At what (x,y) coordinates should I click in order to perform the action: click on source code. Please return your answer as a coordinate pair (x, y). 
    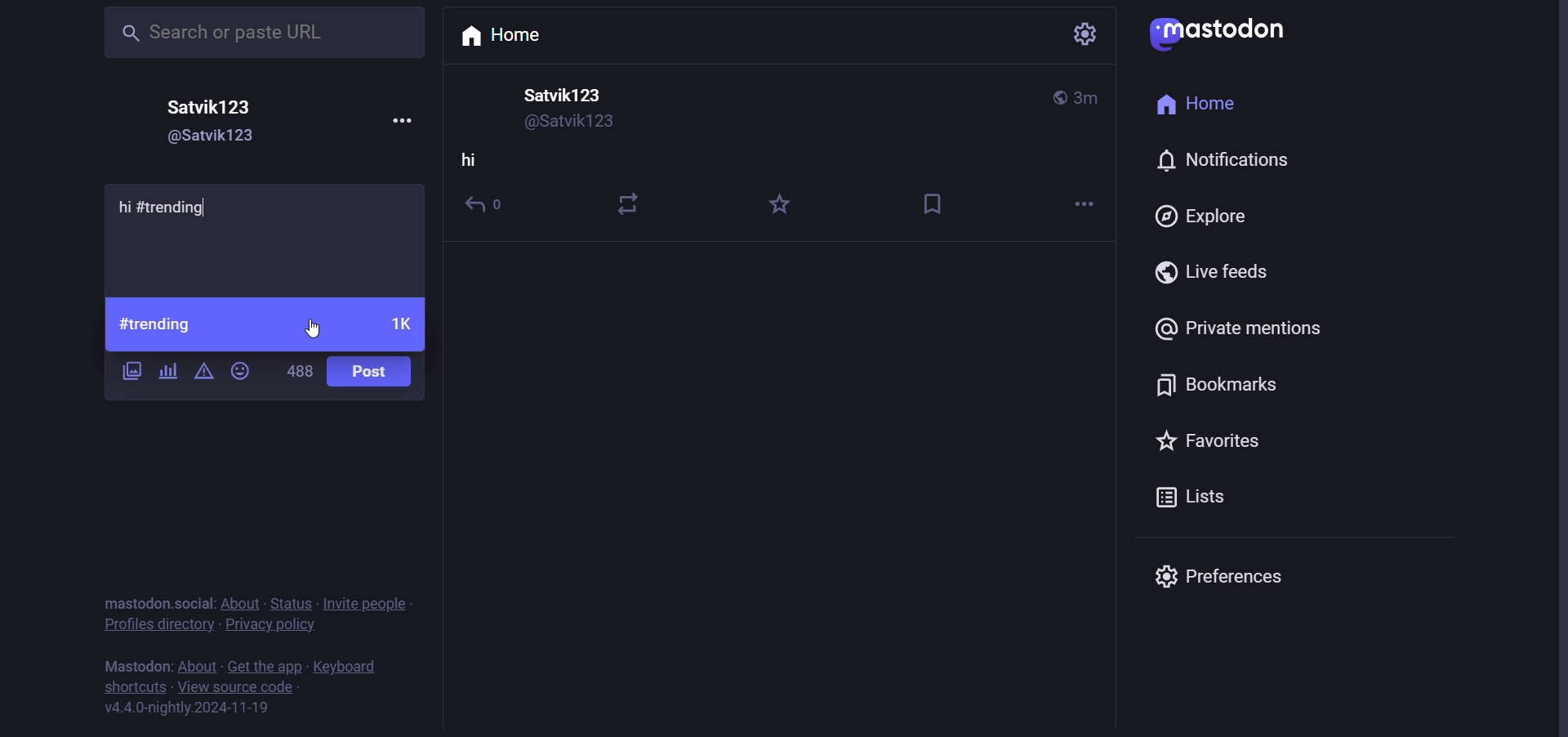
    Looking at the image, I should click on (235, 690).